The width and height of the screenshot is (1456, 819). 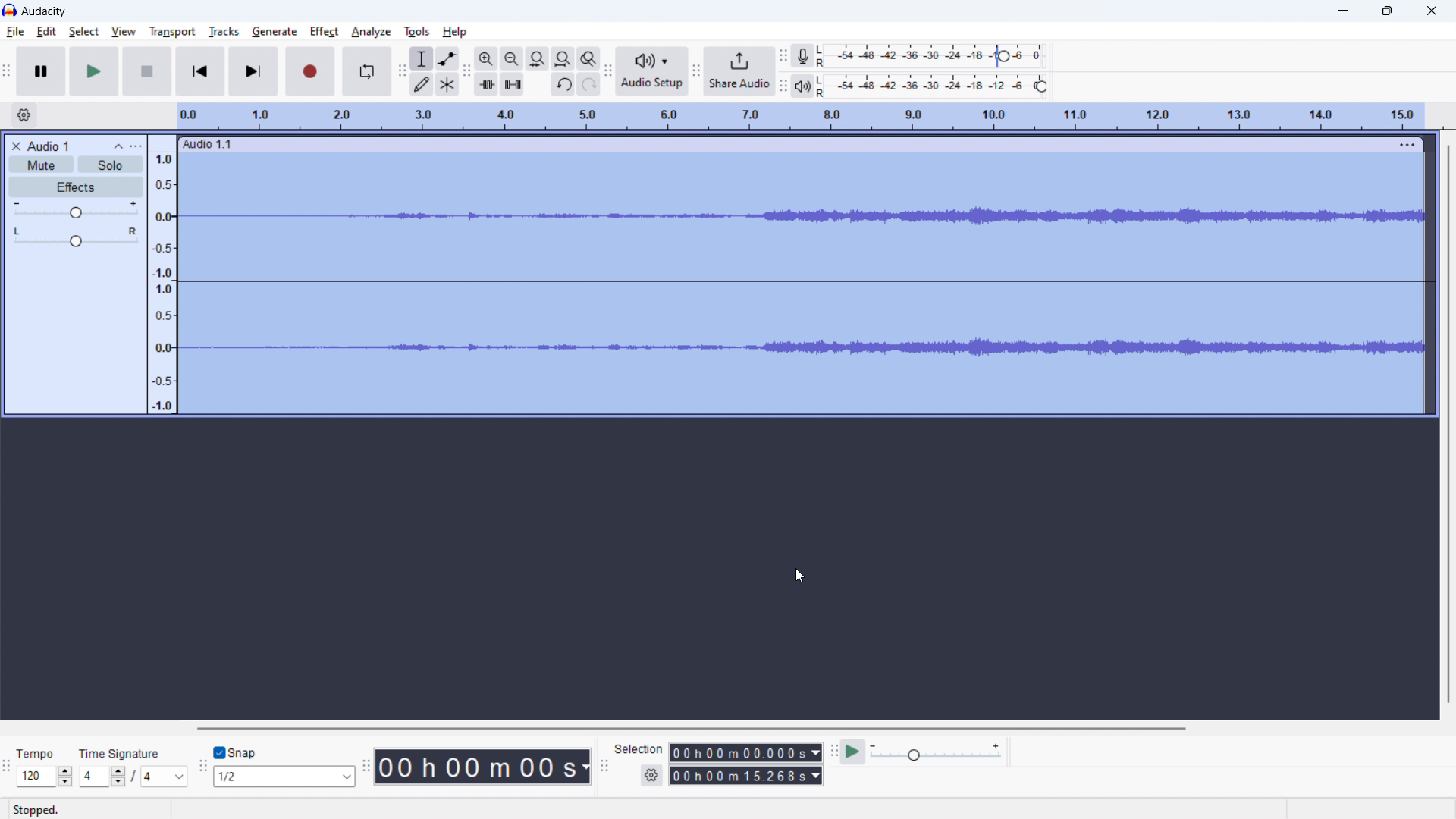 What do you see at coordinates (417, 32) in the screenshot?
I see `tools` at bounding box center [417, 32].